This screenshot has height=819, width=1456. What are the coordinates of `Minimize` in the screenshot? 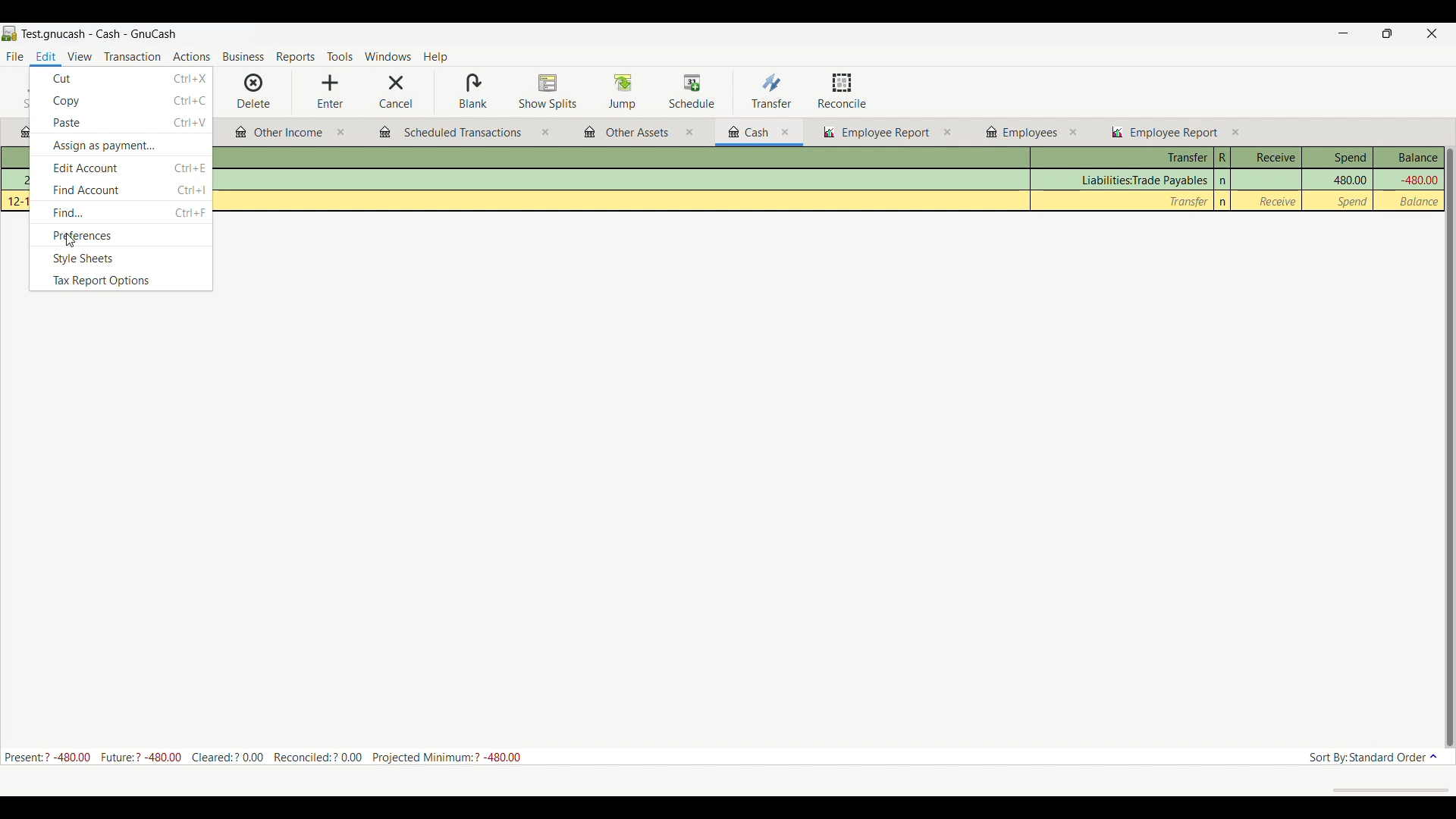 It's located at (1343, 33).